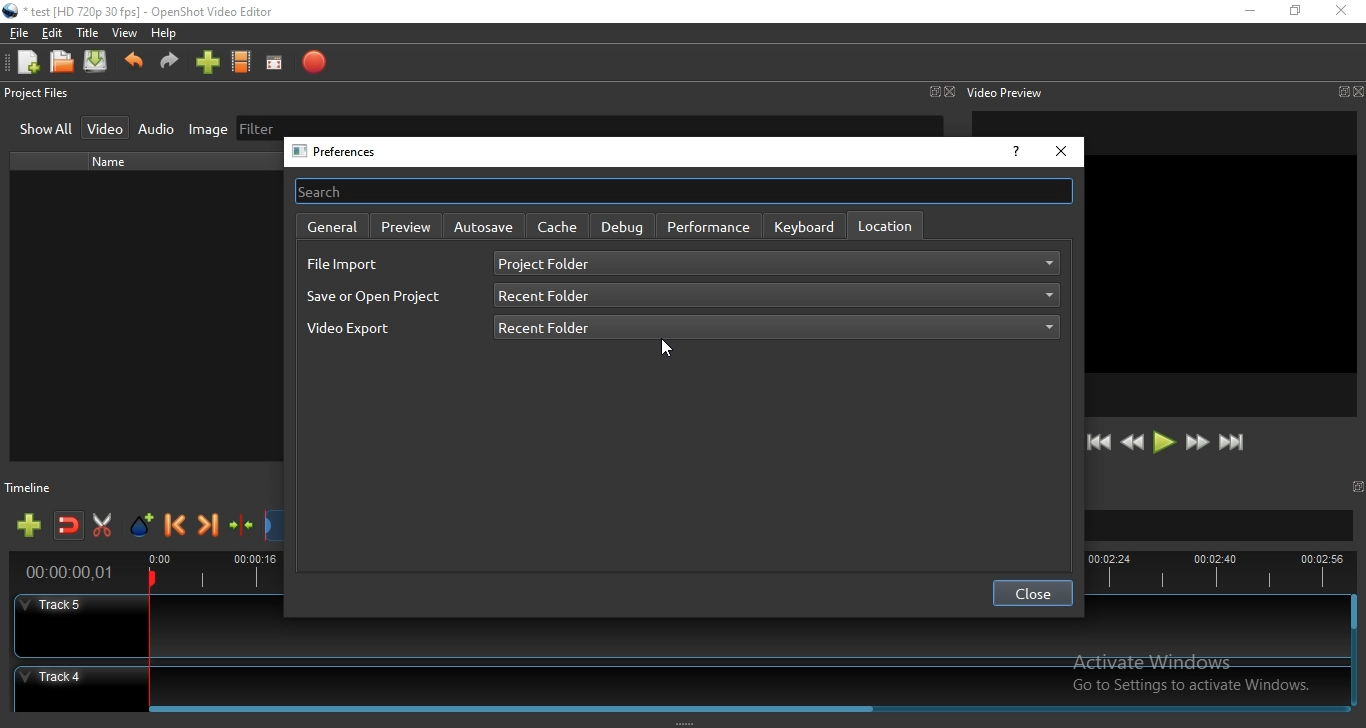  I want to click on Close, so click(950, 92).